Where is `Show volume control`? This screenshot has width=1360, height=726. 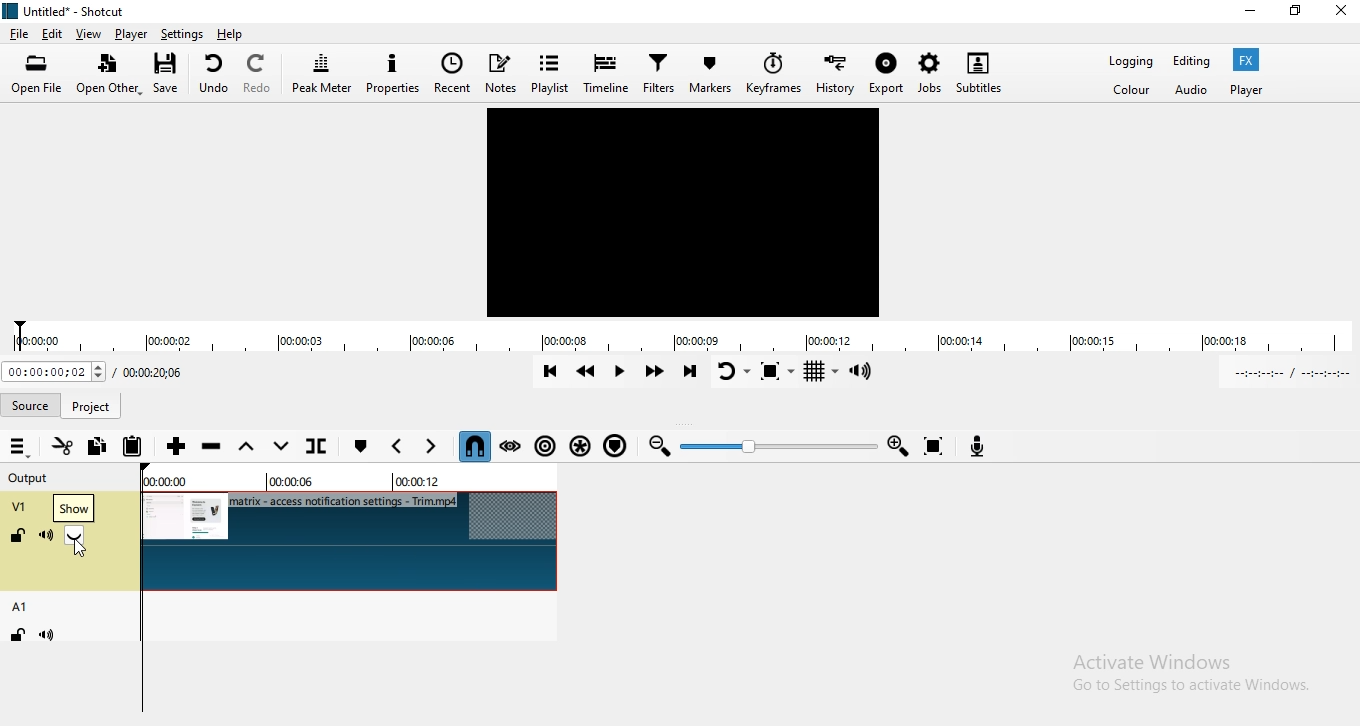 Show volume control is located at coordinates (870, 373).